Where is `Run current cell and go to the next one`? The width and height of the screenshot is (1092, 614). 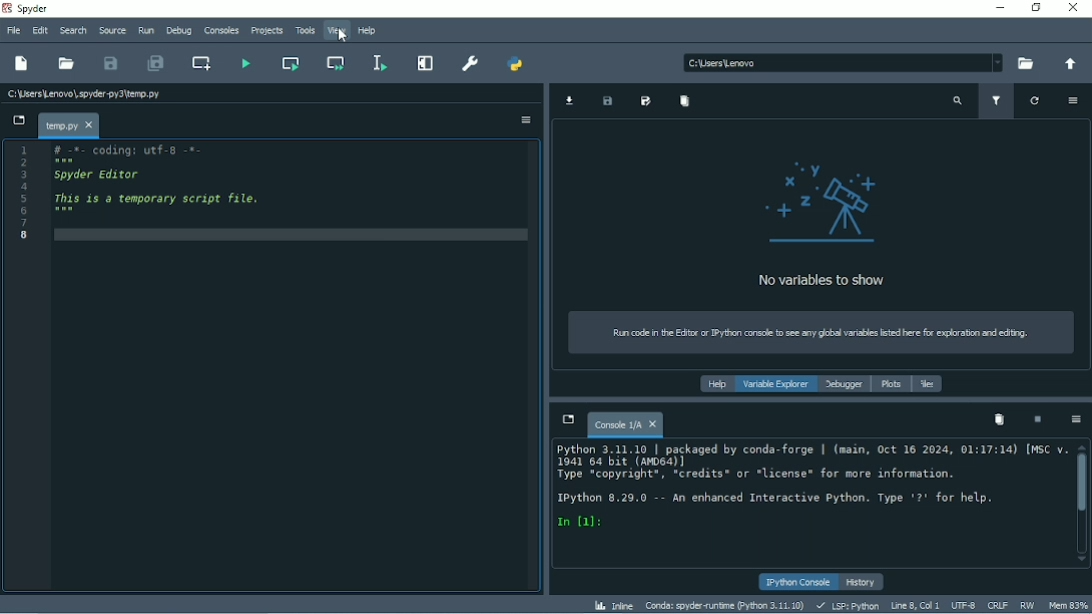
Run current cell and go to the next one is located at coordinates (336, 62).